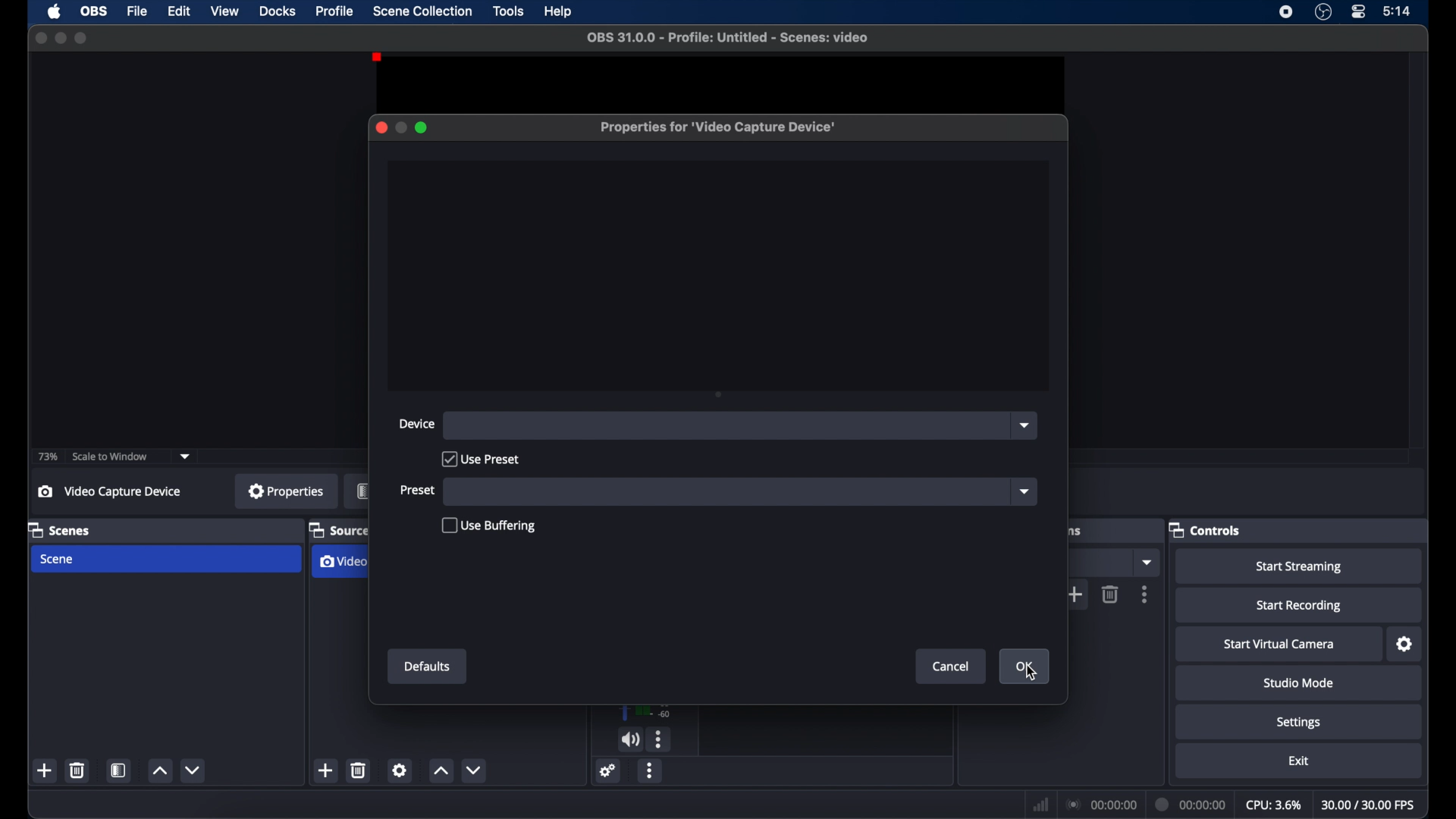 This screenshot has width=1456, height=819. Describe the element at coordinates (287, 492) in the screenshot. I see `properties` at that location.